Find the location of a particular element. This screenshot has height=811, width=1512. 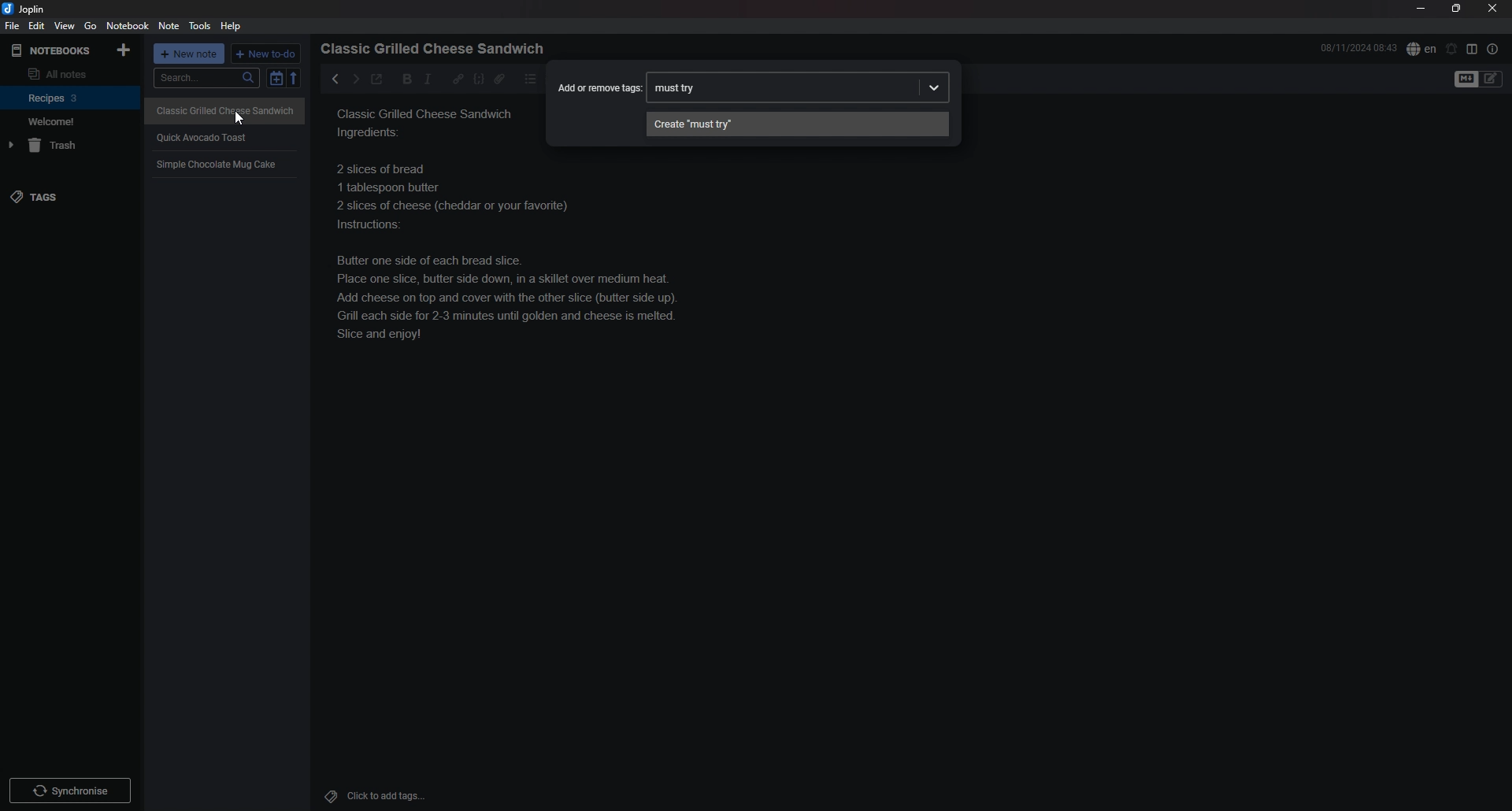

toggle sort order is located at coordinates (276, 78).